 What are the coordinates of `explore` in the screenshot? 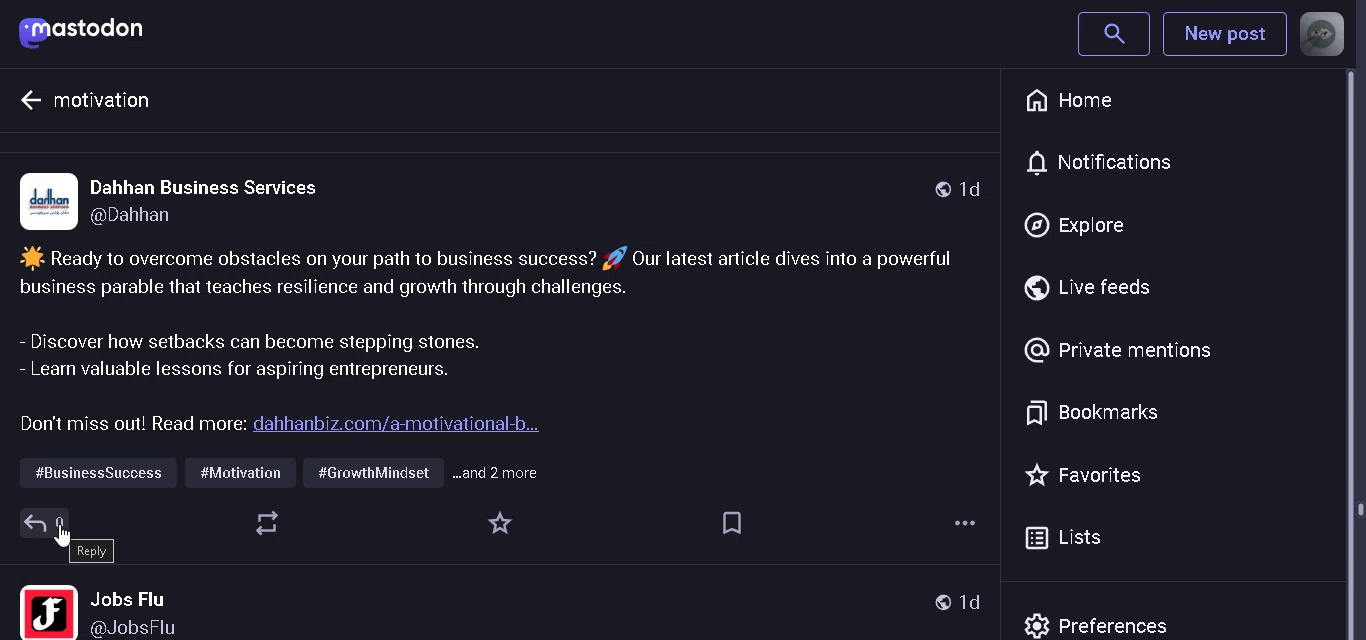 It's located at (1075, 227).